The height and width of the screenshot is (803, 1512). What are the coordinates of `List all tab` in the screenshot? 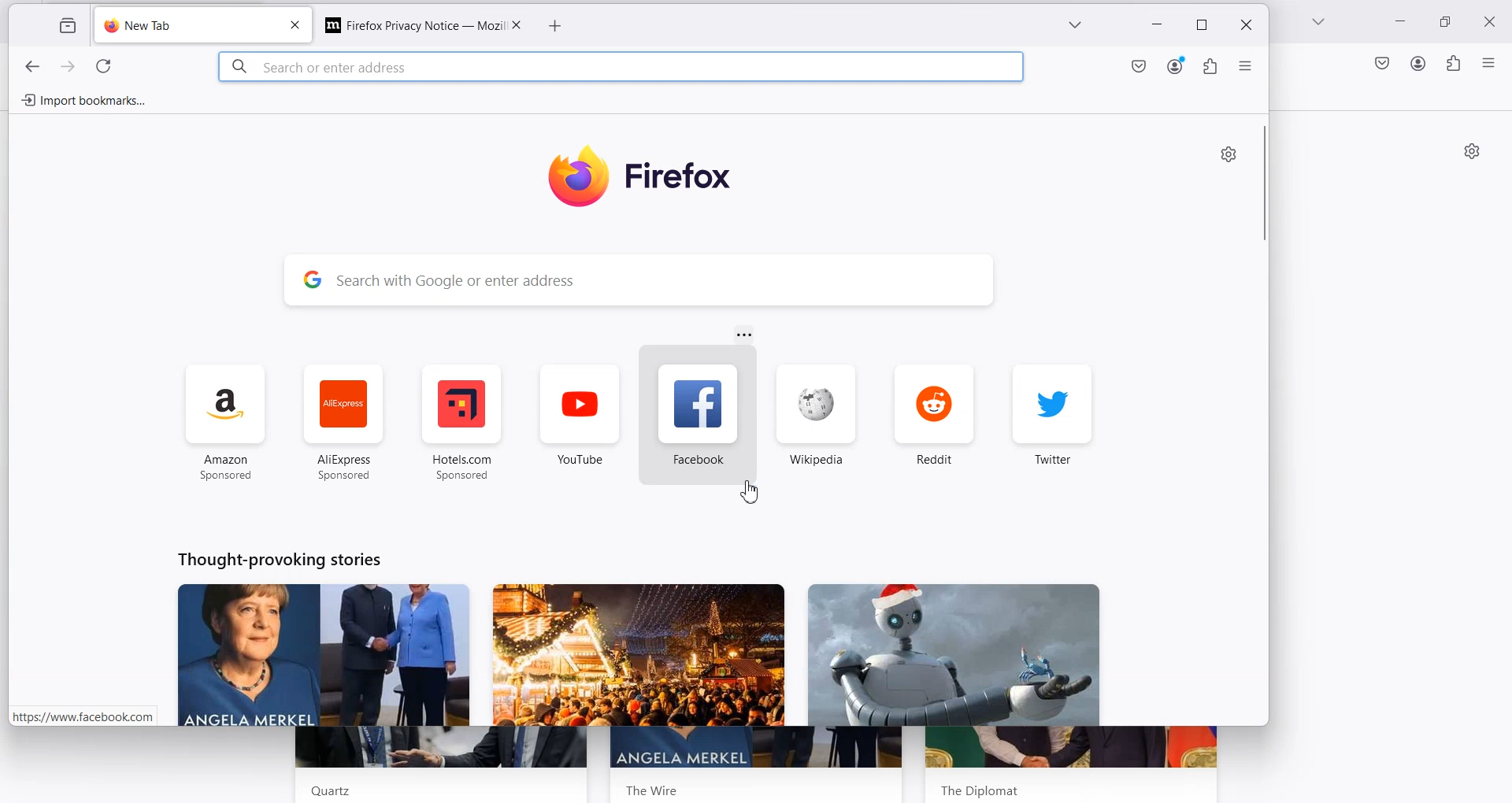 It's located at (1319, 23).